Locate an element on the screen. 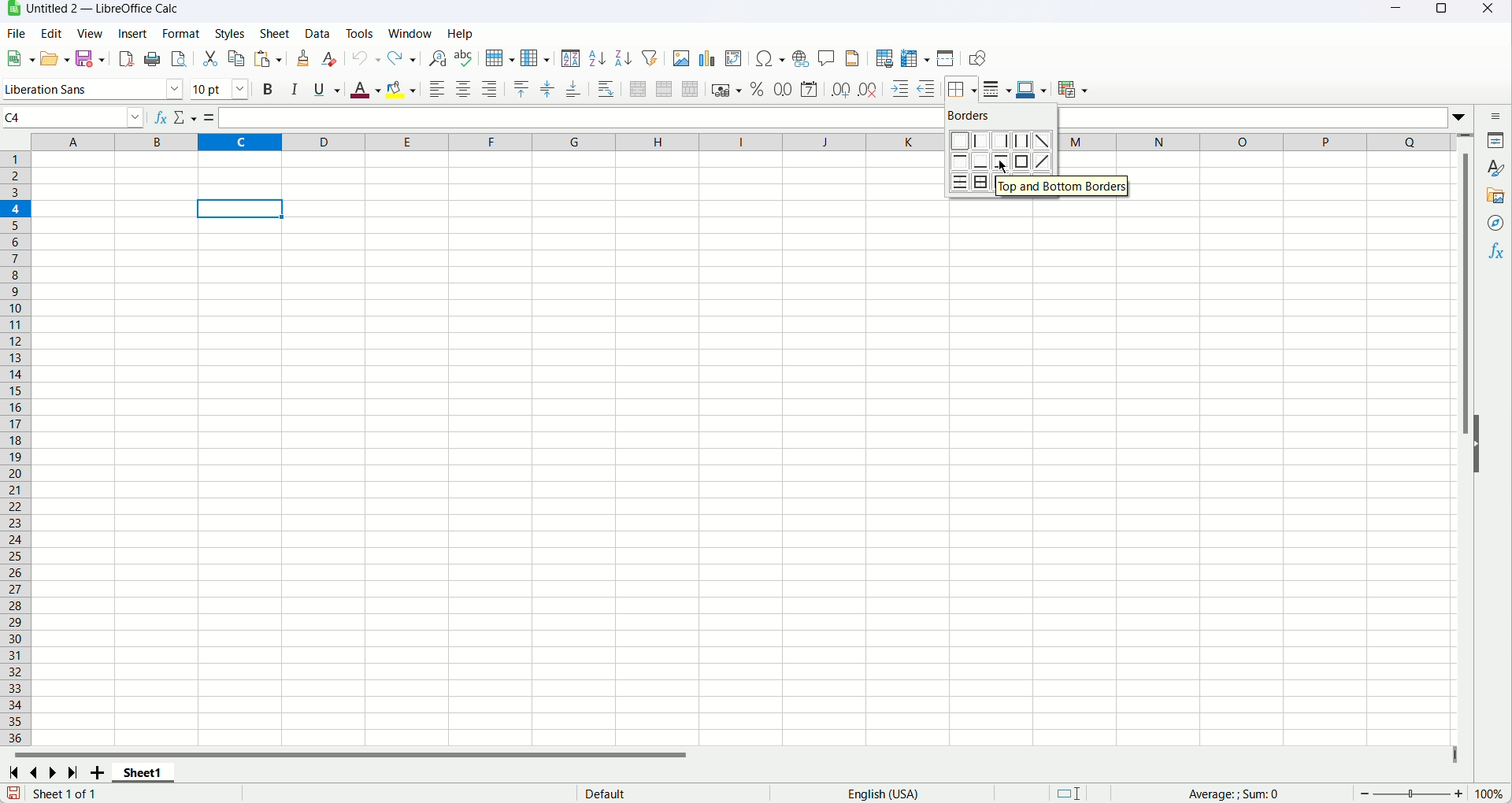 Image resolution: width=1512 pixels, height=803 pixels. Align Top is located at coordinates (521, 90).